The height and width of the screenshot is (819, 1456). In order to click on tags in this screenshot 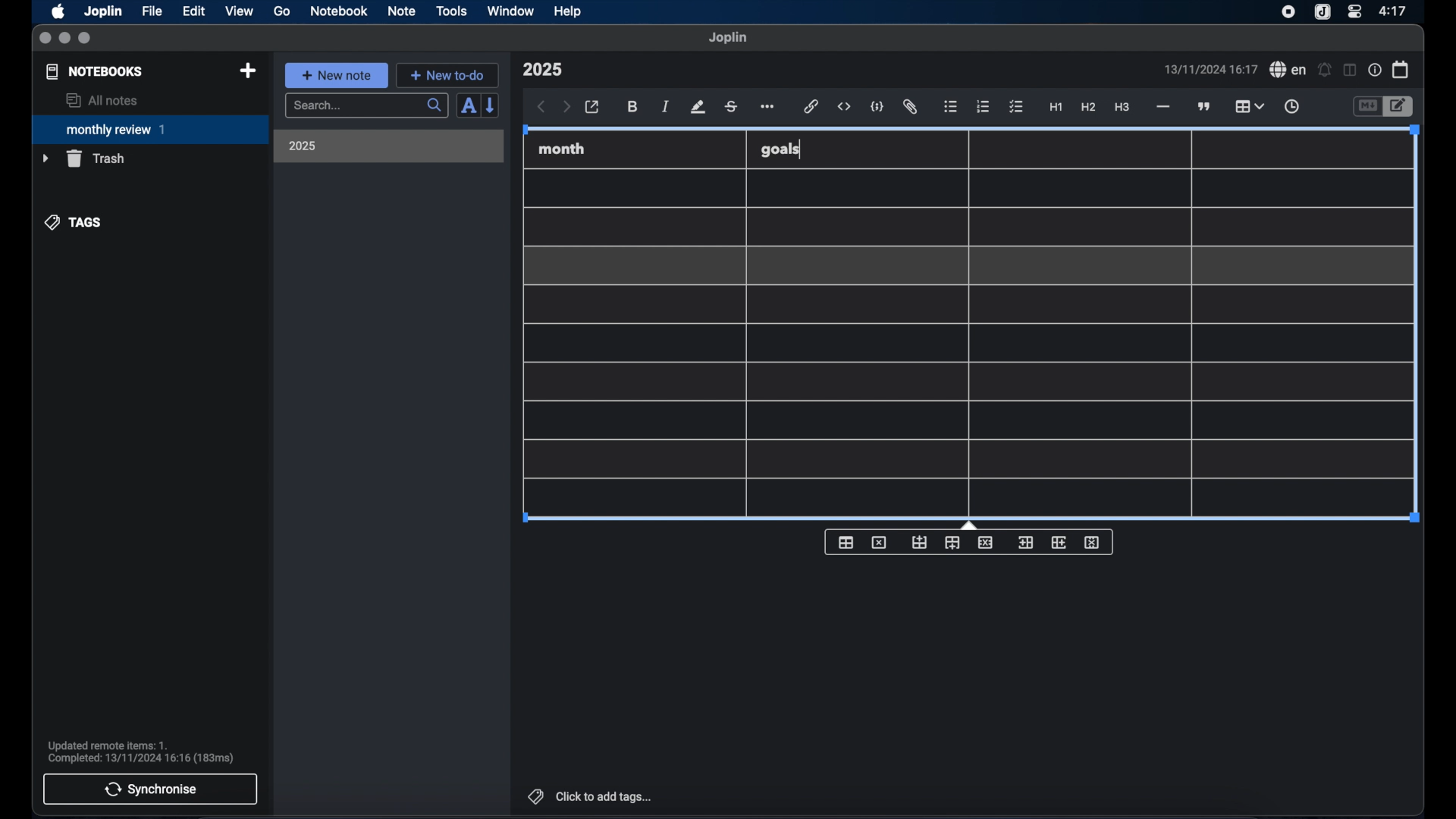, I will do `click(74, 222)`.